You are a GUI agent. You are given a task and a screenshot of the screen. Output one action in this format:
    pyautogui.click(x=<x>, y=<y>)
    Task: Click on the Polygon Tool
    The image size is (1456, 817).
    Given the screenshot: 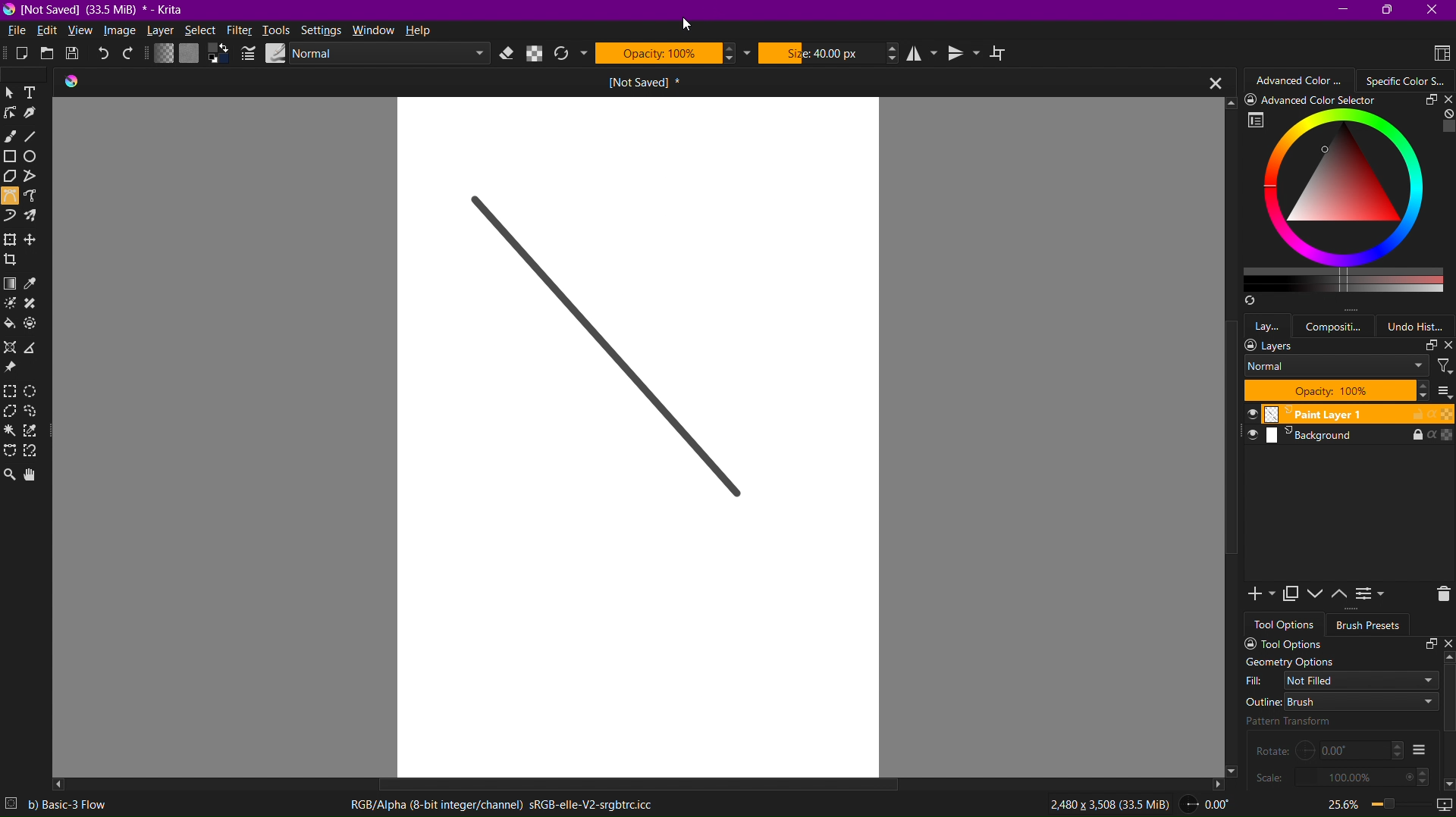 What is the action you would take?
    pyautogui.click(x=12, y=178)
    